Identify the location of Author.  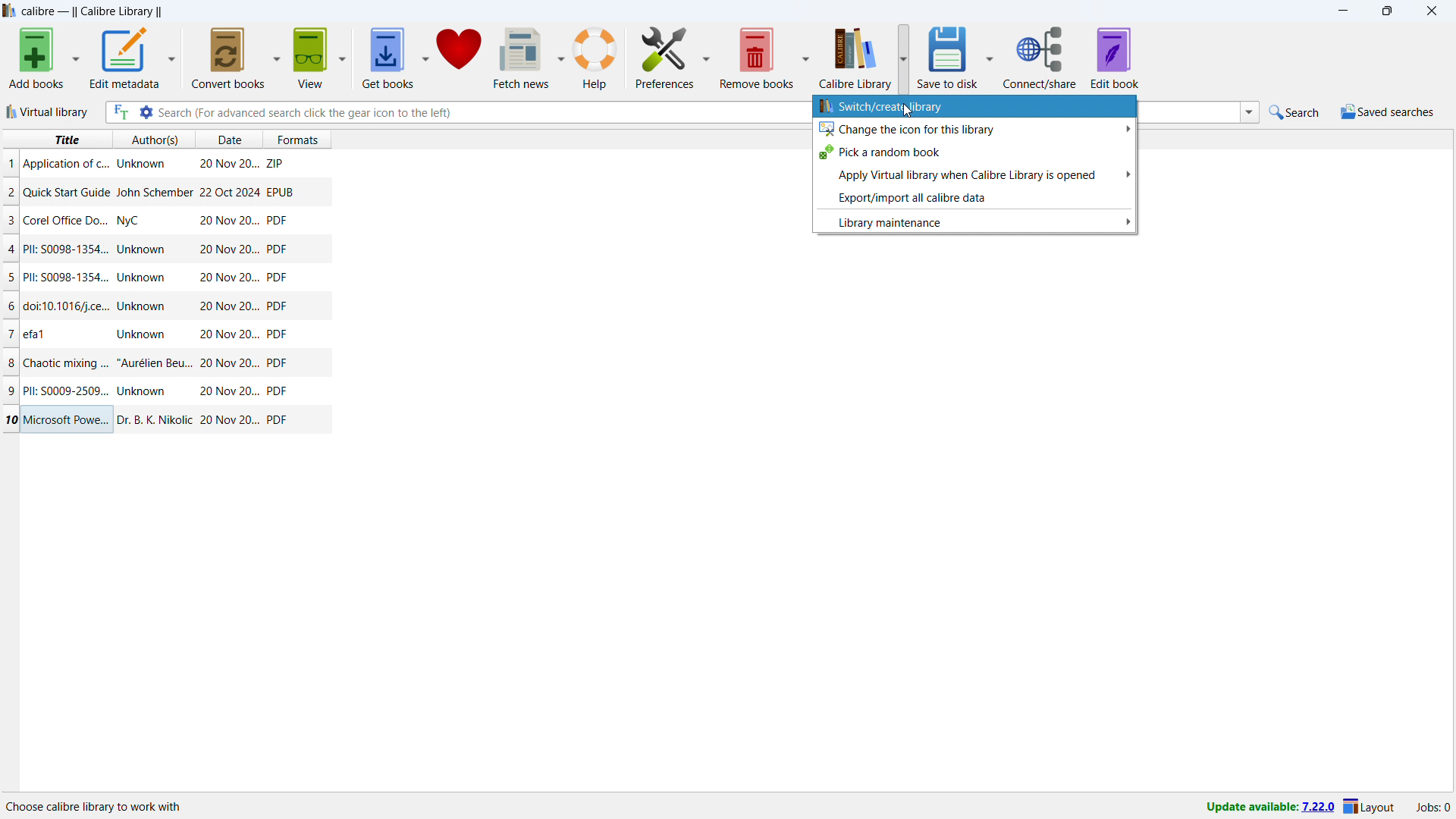
(131, 222).